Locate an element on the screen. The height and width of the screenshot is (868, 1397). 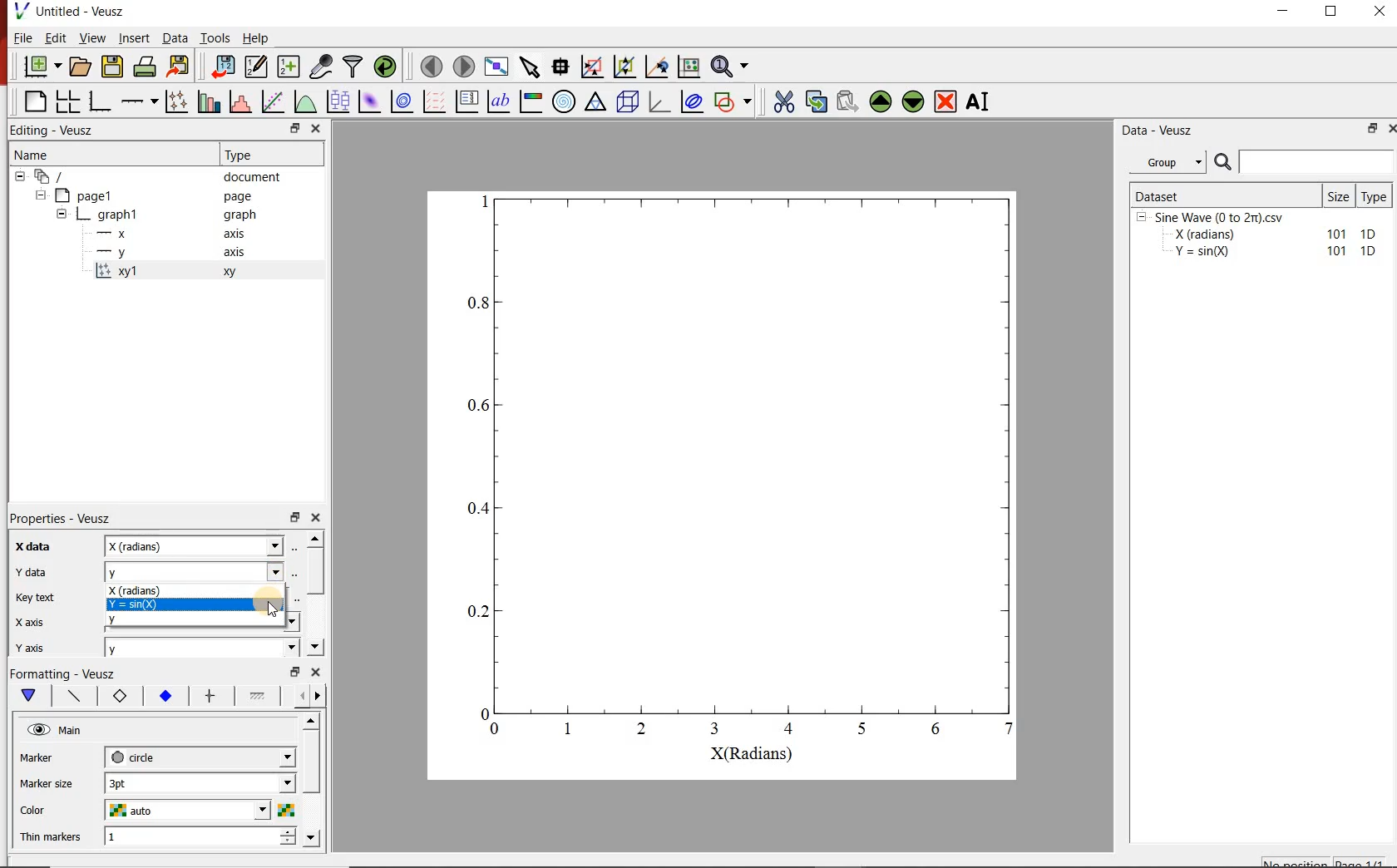
Size is located at coordinates (1340, 195).